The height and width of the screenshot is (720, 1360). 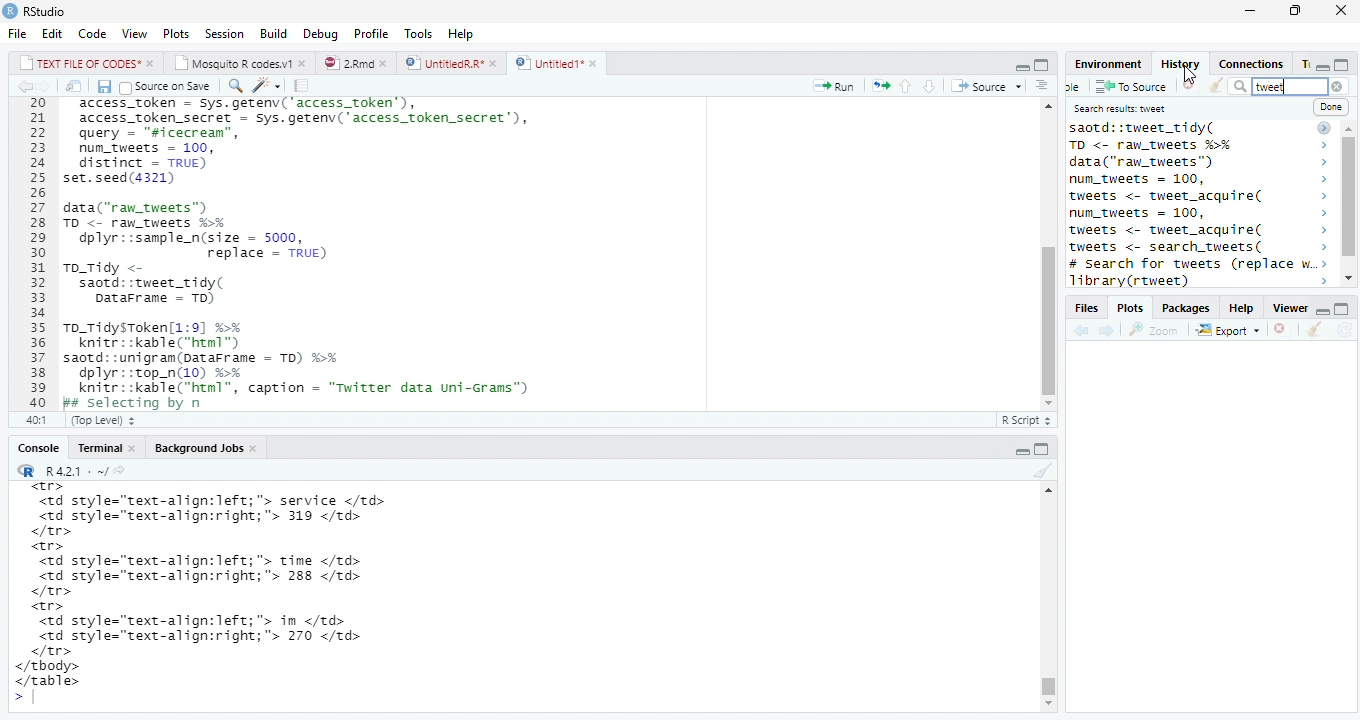 I want to click on , Plots, so click(x=1130, y=308).